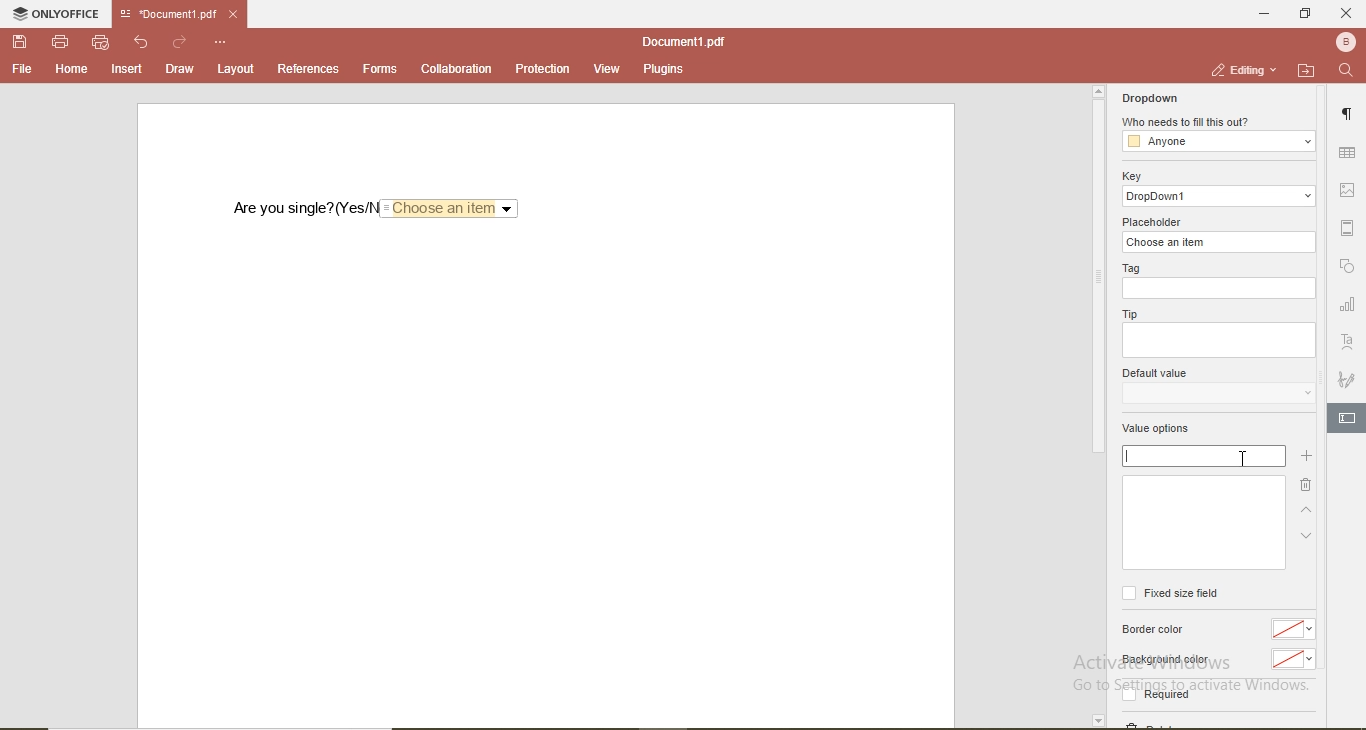 This screenshot has height=730, width=1366. What do you see at coordinates (180, 43) in the screenshot?
I see `redo` at bounding box center [180, 43].